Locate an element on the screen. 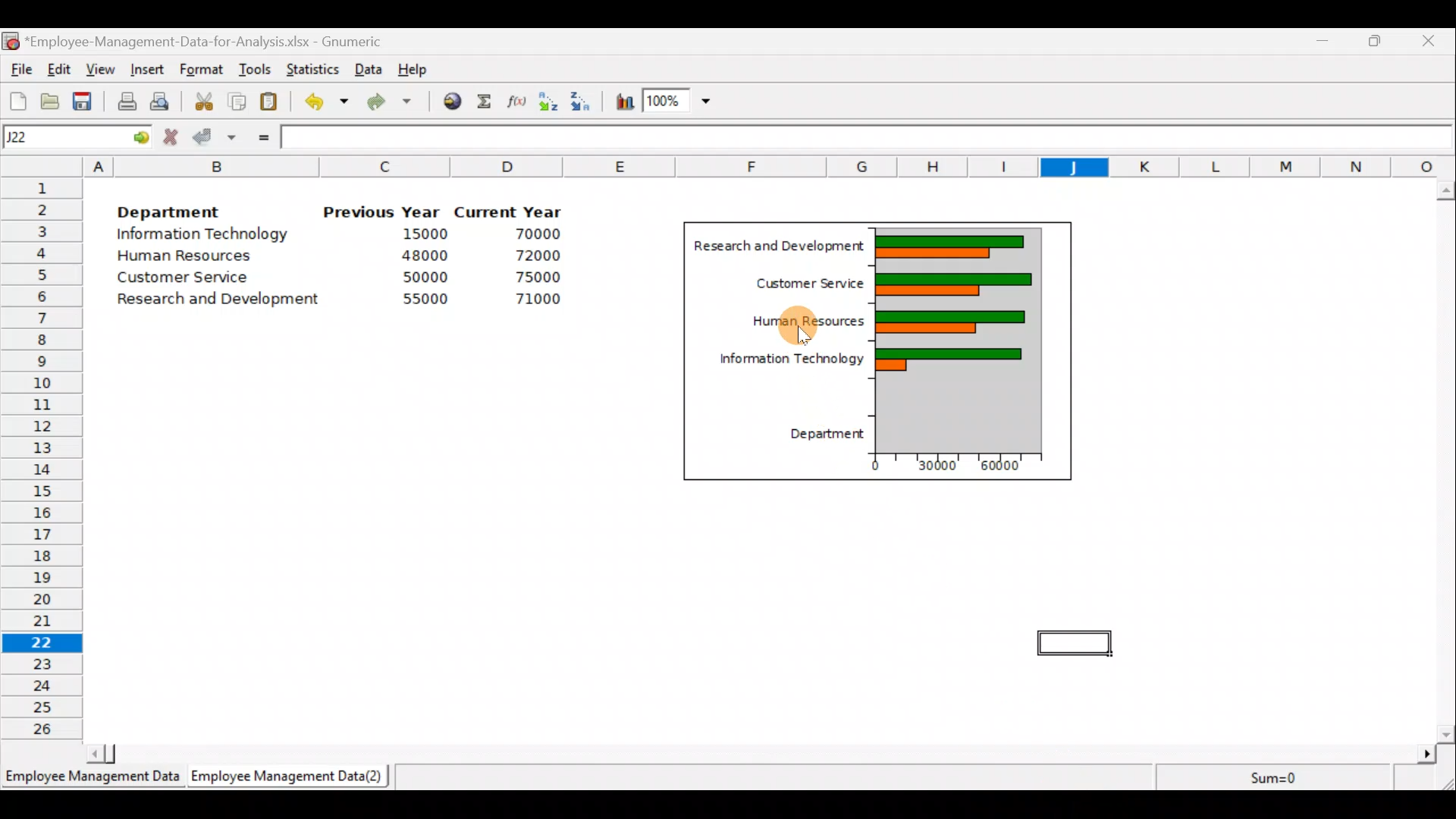 This screenshot has width=1456, height=819. 30000 is located at coordinates (936, 467).